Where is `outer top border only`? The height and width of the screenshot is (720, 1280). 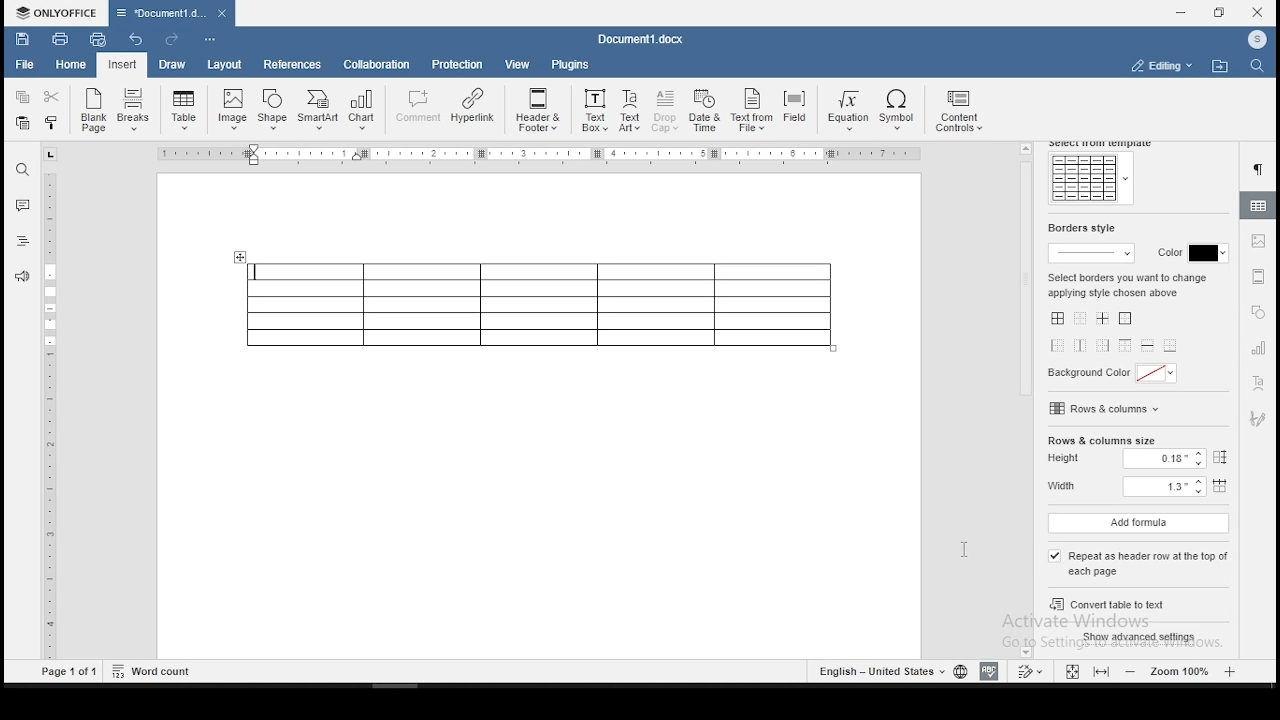 outer top border only is located at coordinates (1124, 347).